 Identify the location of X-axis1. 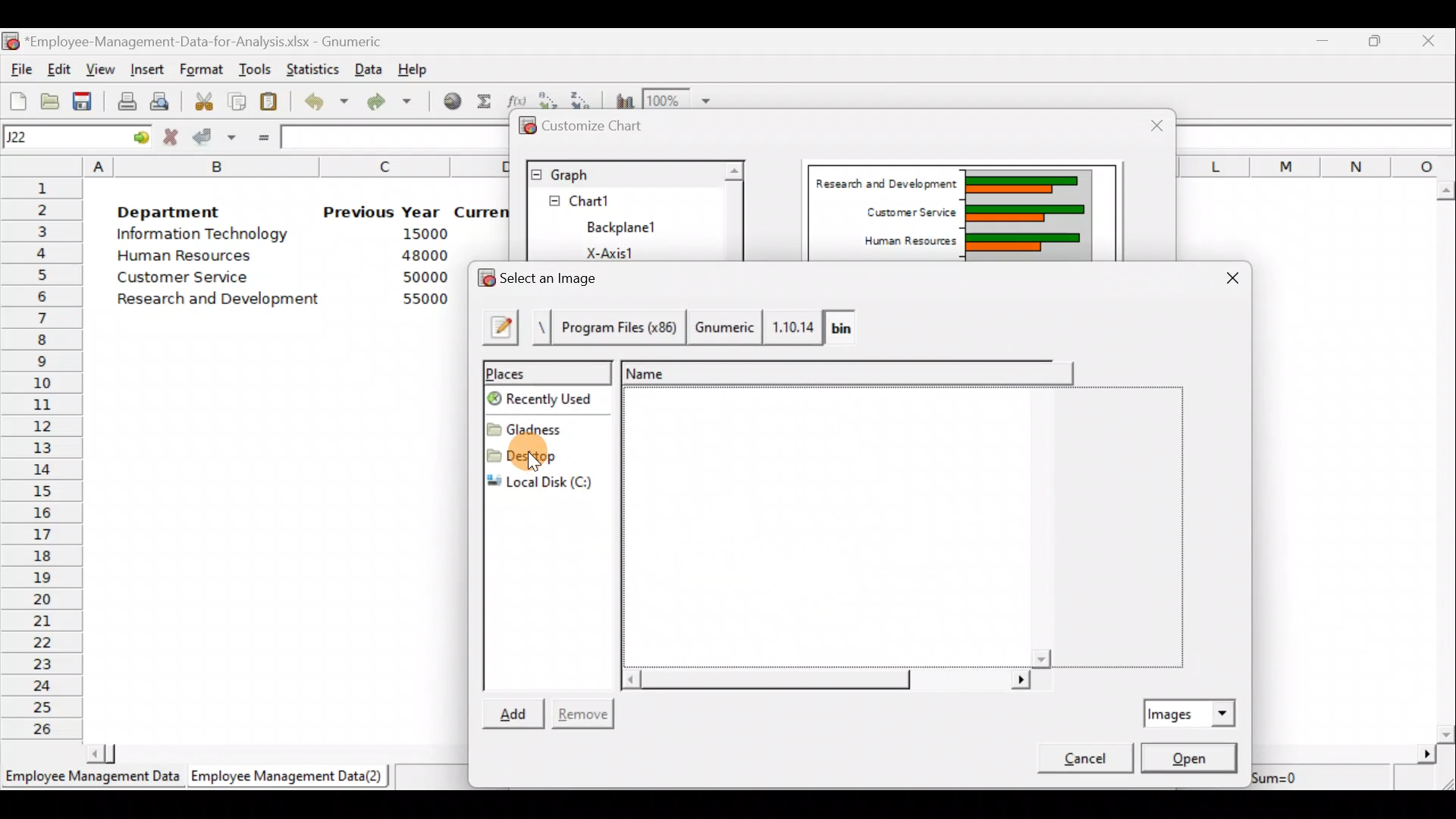
(620, 251).